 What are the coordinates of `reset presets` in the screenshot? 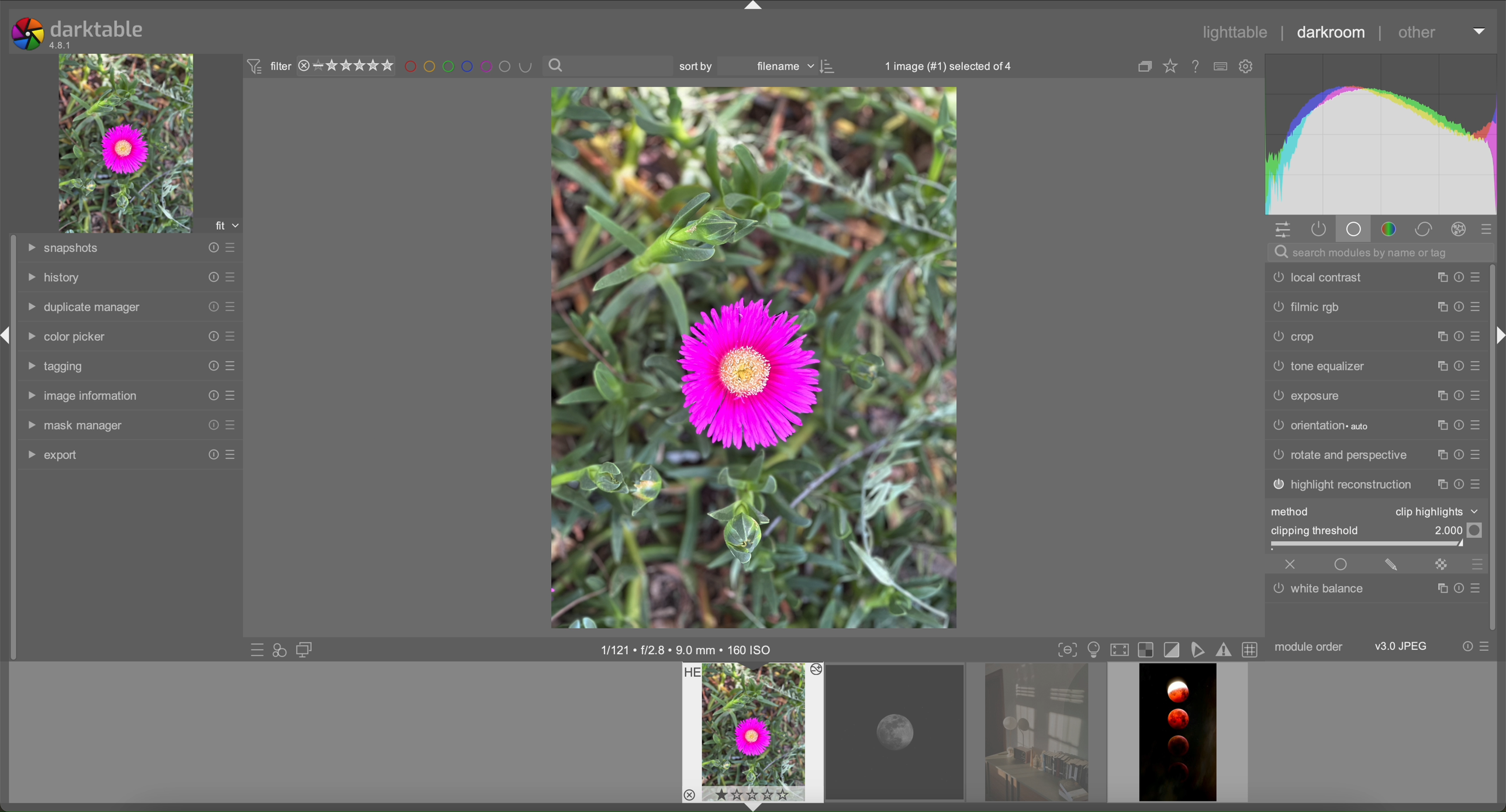 It's located at (1458, 426).